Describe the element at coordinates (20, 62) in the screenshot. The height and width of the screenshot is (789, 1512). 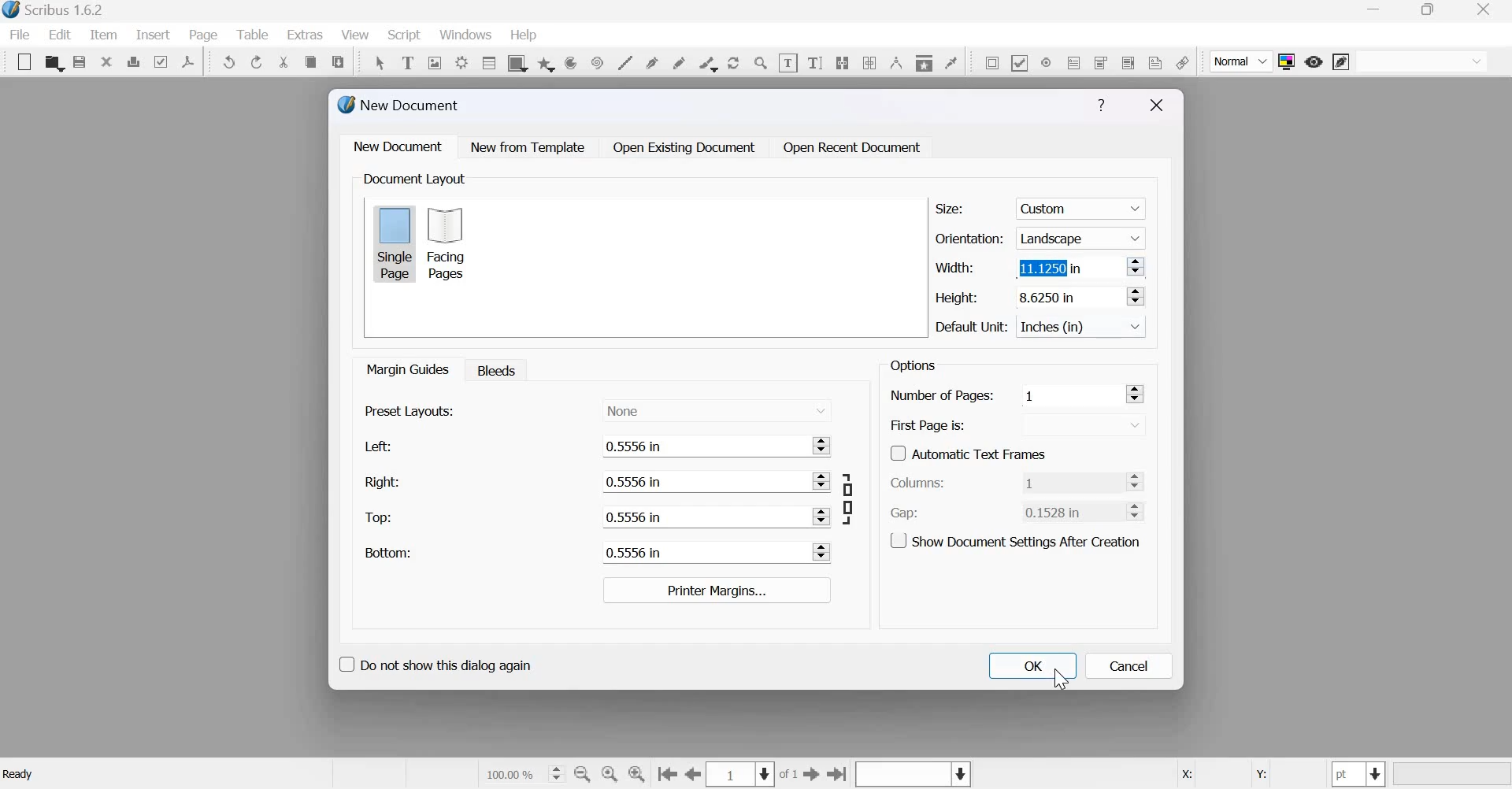
I see `New` at that location.